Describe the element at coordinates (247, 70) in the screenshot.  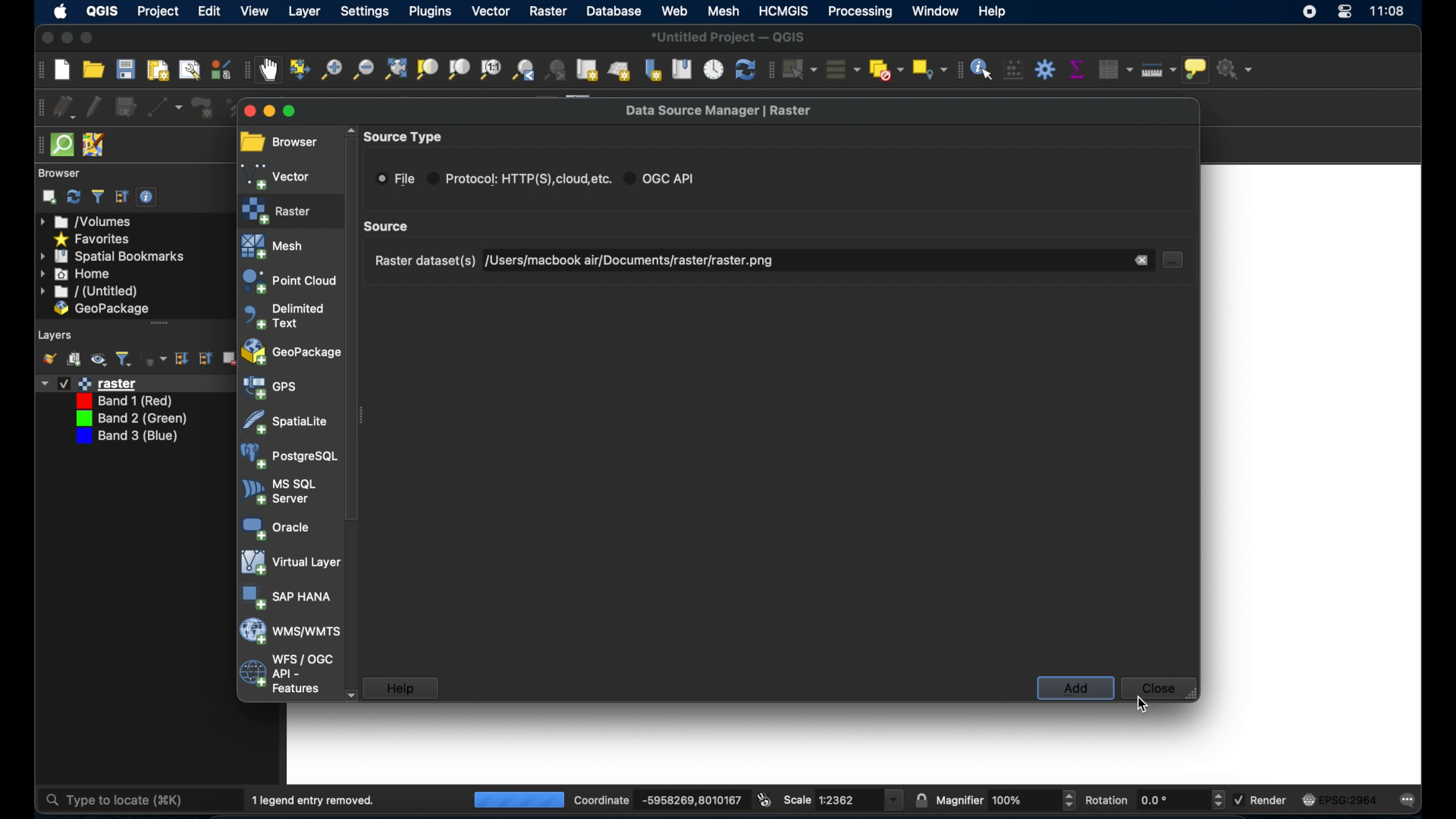
I see `map navigation toolbar` at that location.